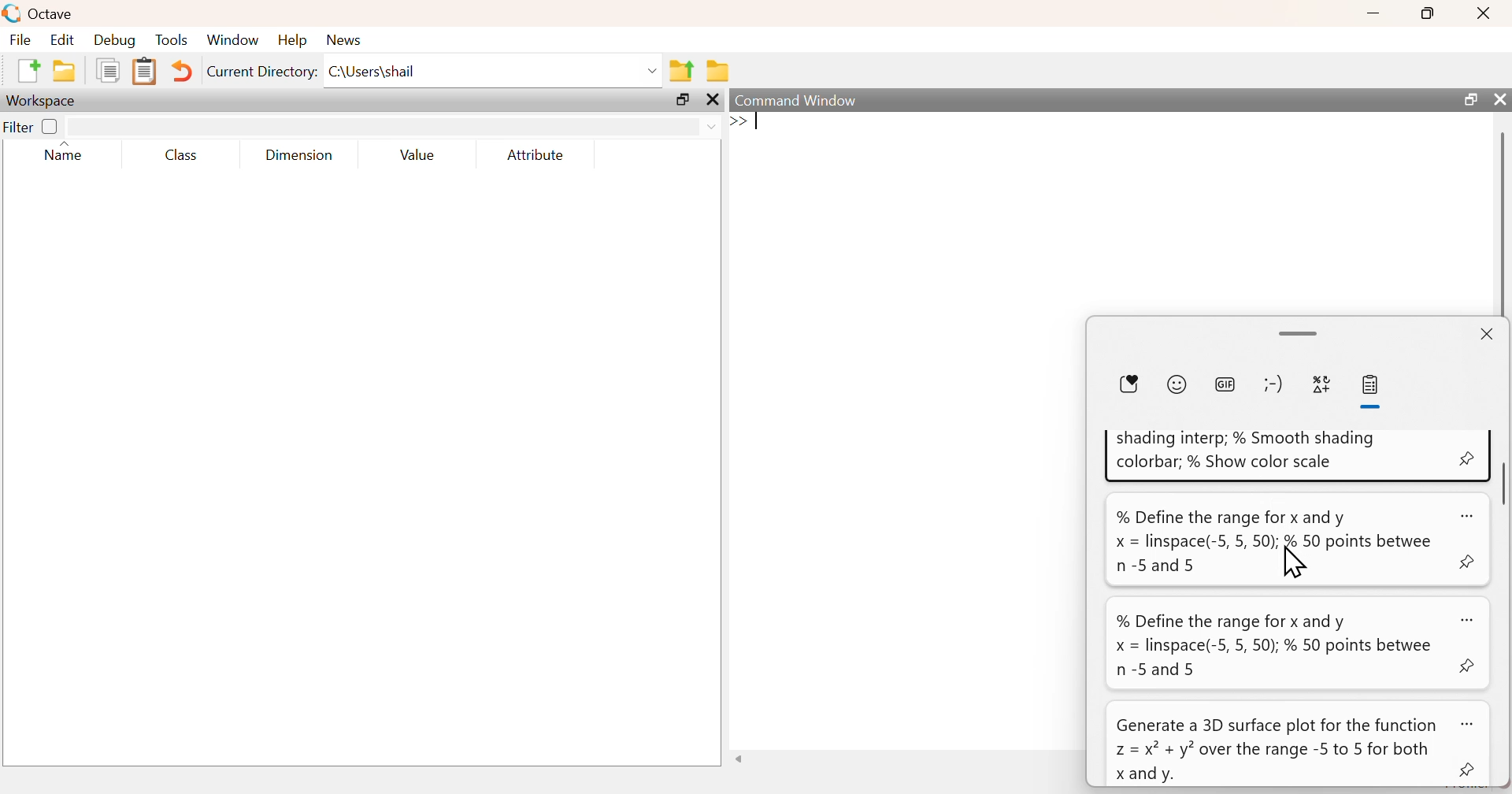 The image size is (1512, 794). What do you see at coordinates (1503, 480) in the screenshot?
I see `scroll bar` at bounding box center [1503, 480].